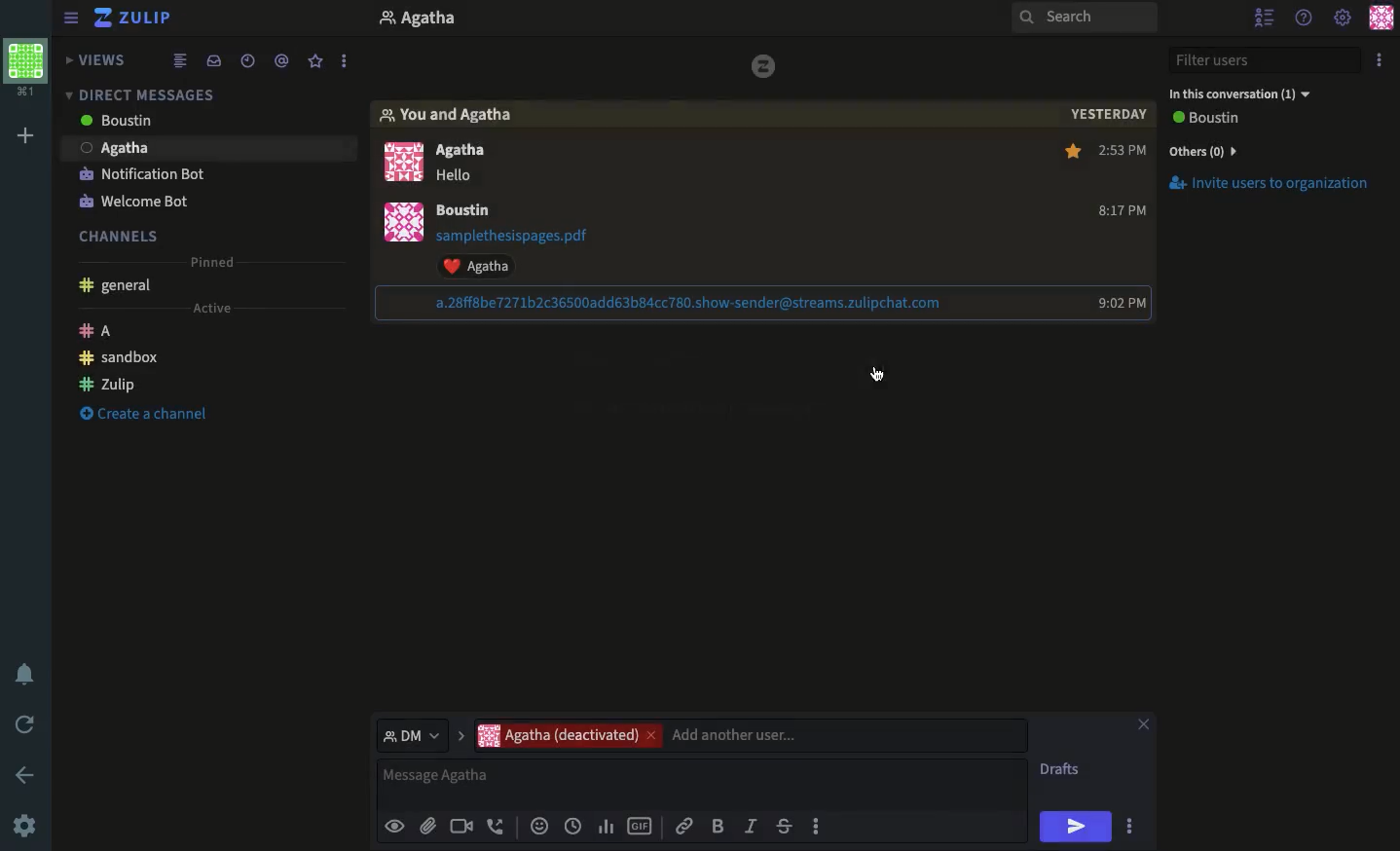 Image resolution: width=1400 pixels, height=851 pixels. Describe the element at coordinates (136, 19) in the screenshot. I see `Zulip` at that location.